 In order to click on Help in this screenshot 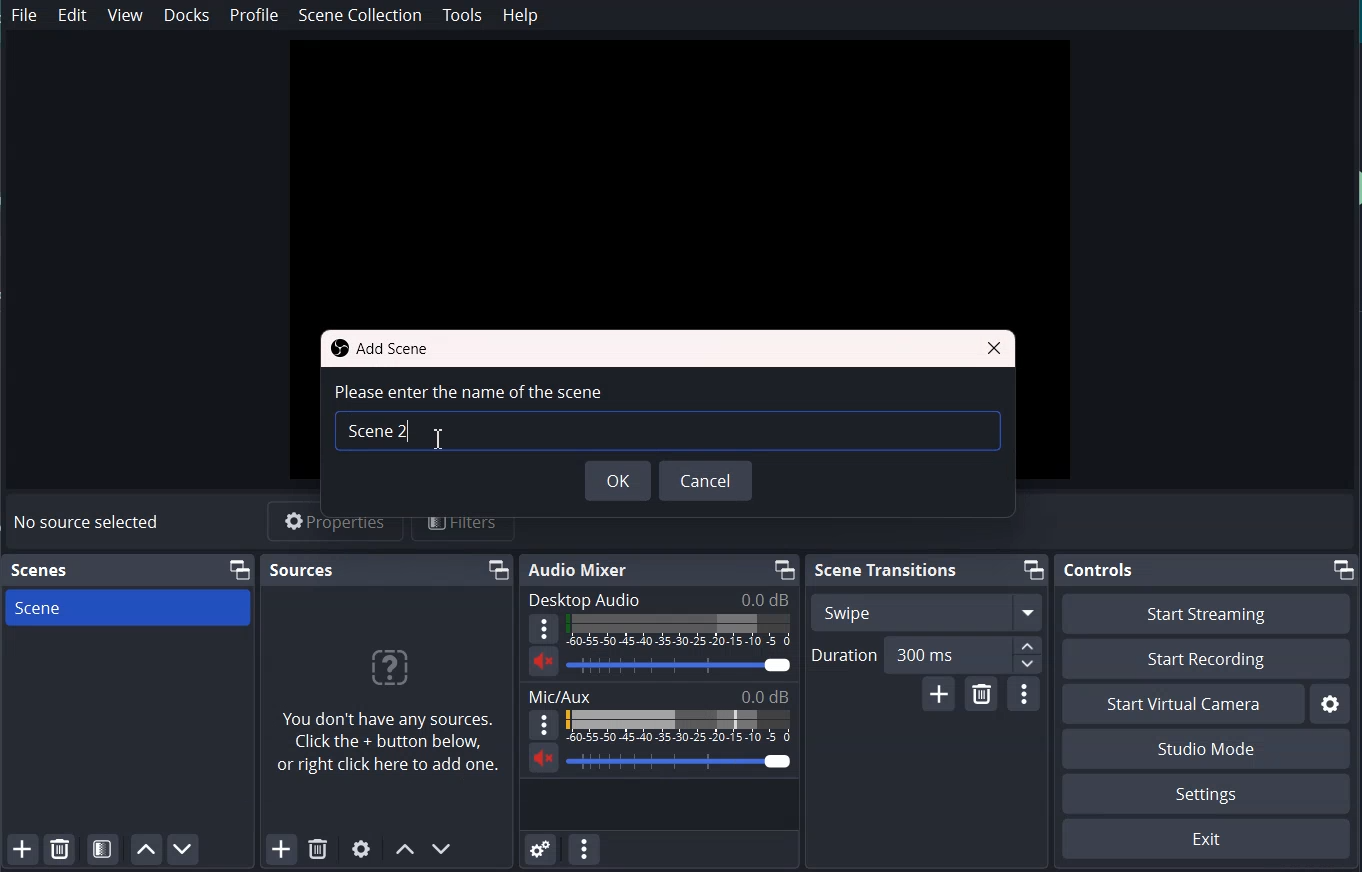, I will do `click(521, 15)`.